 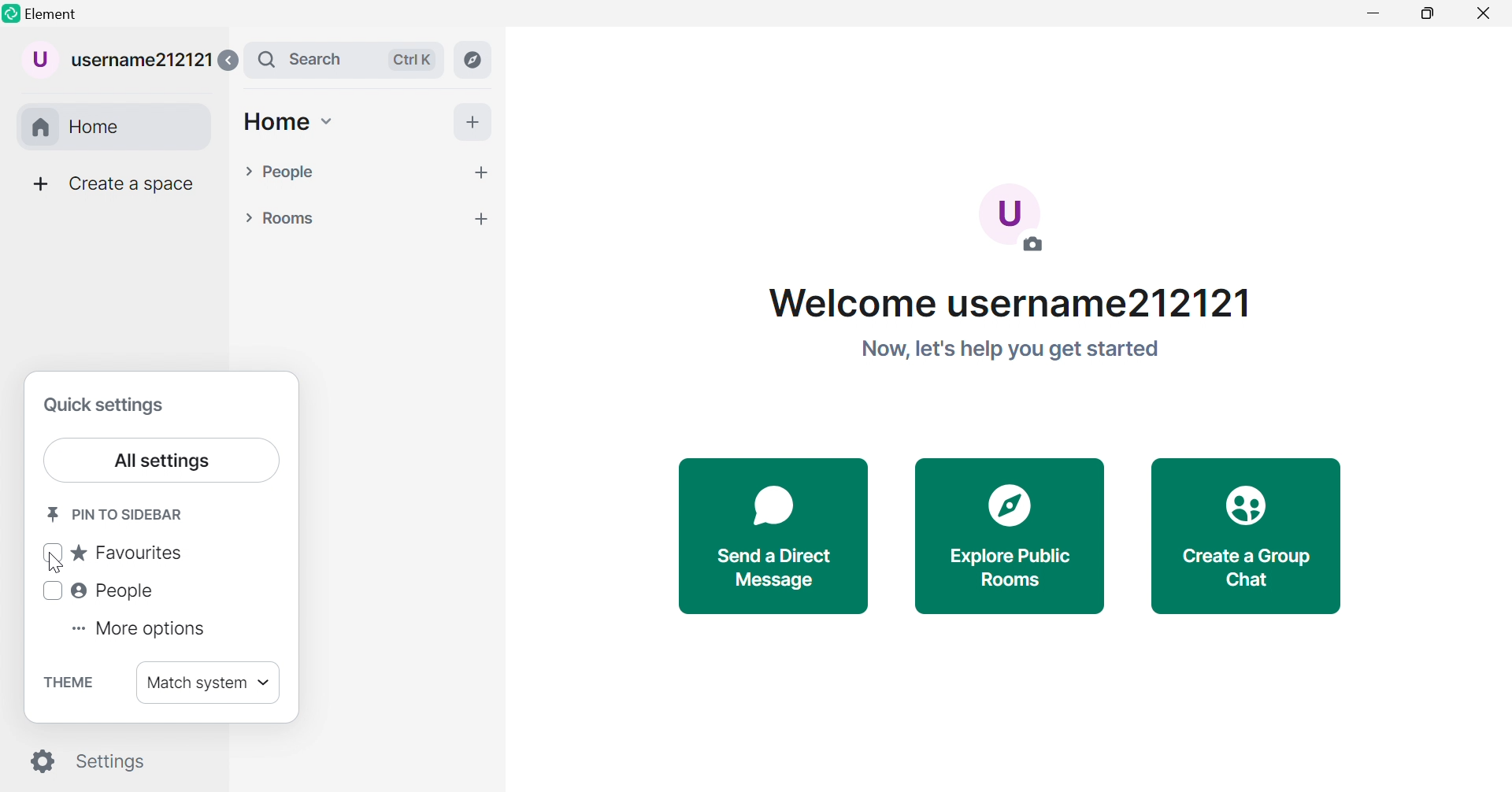 What do you see at coordinates (11, 13) in the screenshot?
I see `Element logo` at bounding box center [11, 13].